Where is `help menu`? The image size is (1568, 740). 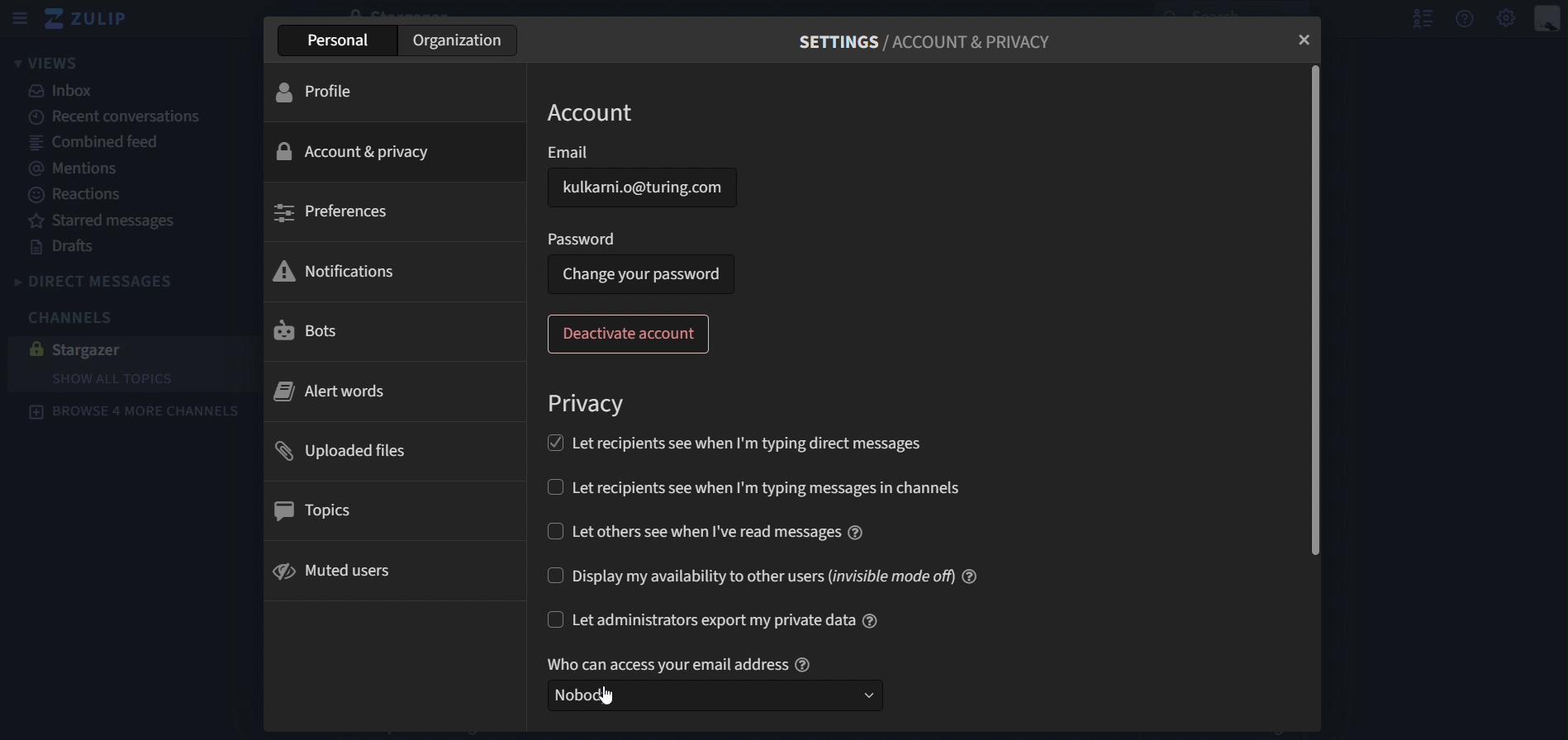
help menu is located at coordinates (1465, 21).